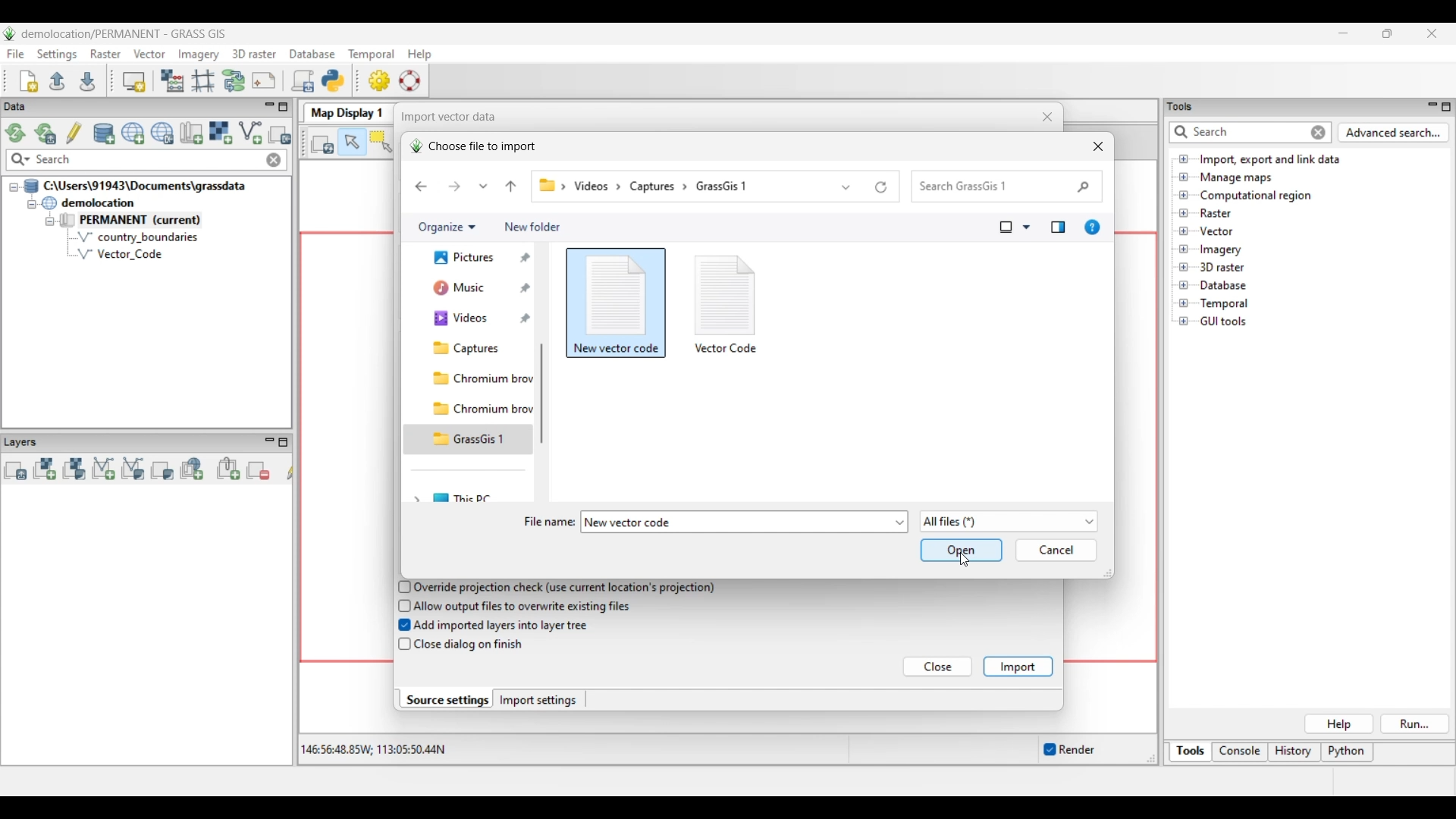 The width and height of the screenshot is (1456, 819). I want to click on History, so click(1294, 752).